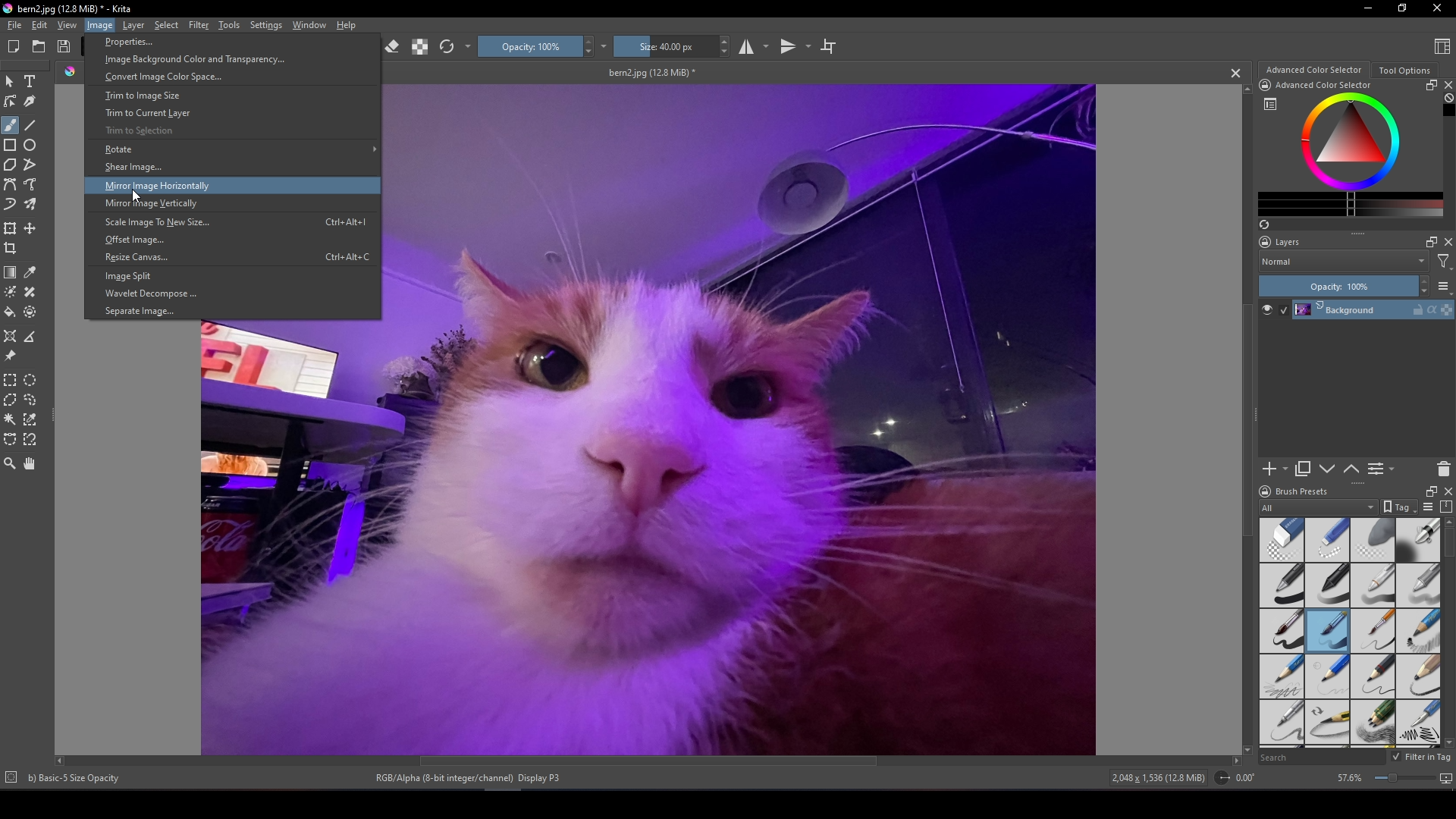  Describe the element at coordinates (76, 779) in the screenshot. I see `basic-5 sizeOpacity` at that location.